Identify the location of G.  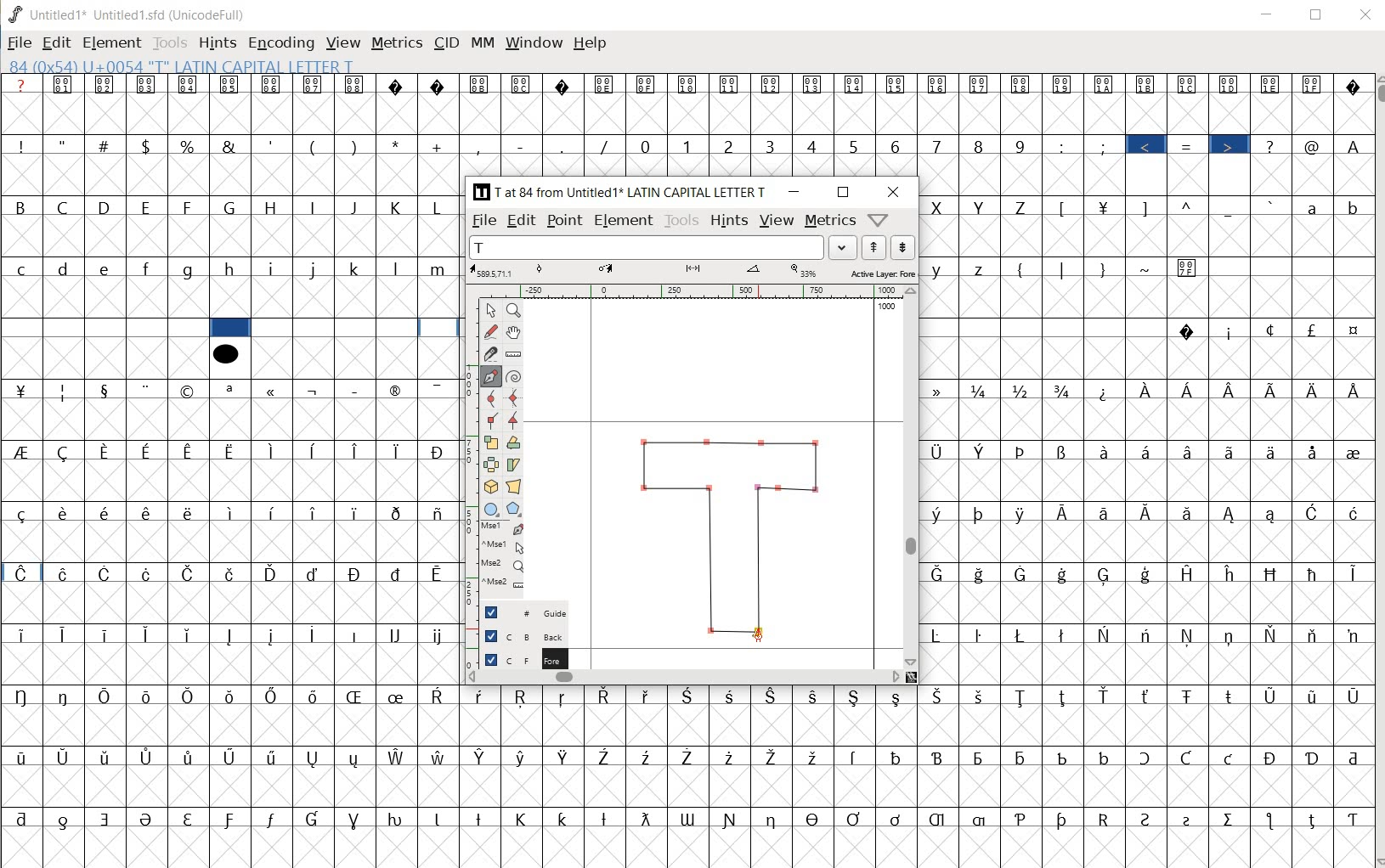
(230, 208).